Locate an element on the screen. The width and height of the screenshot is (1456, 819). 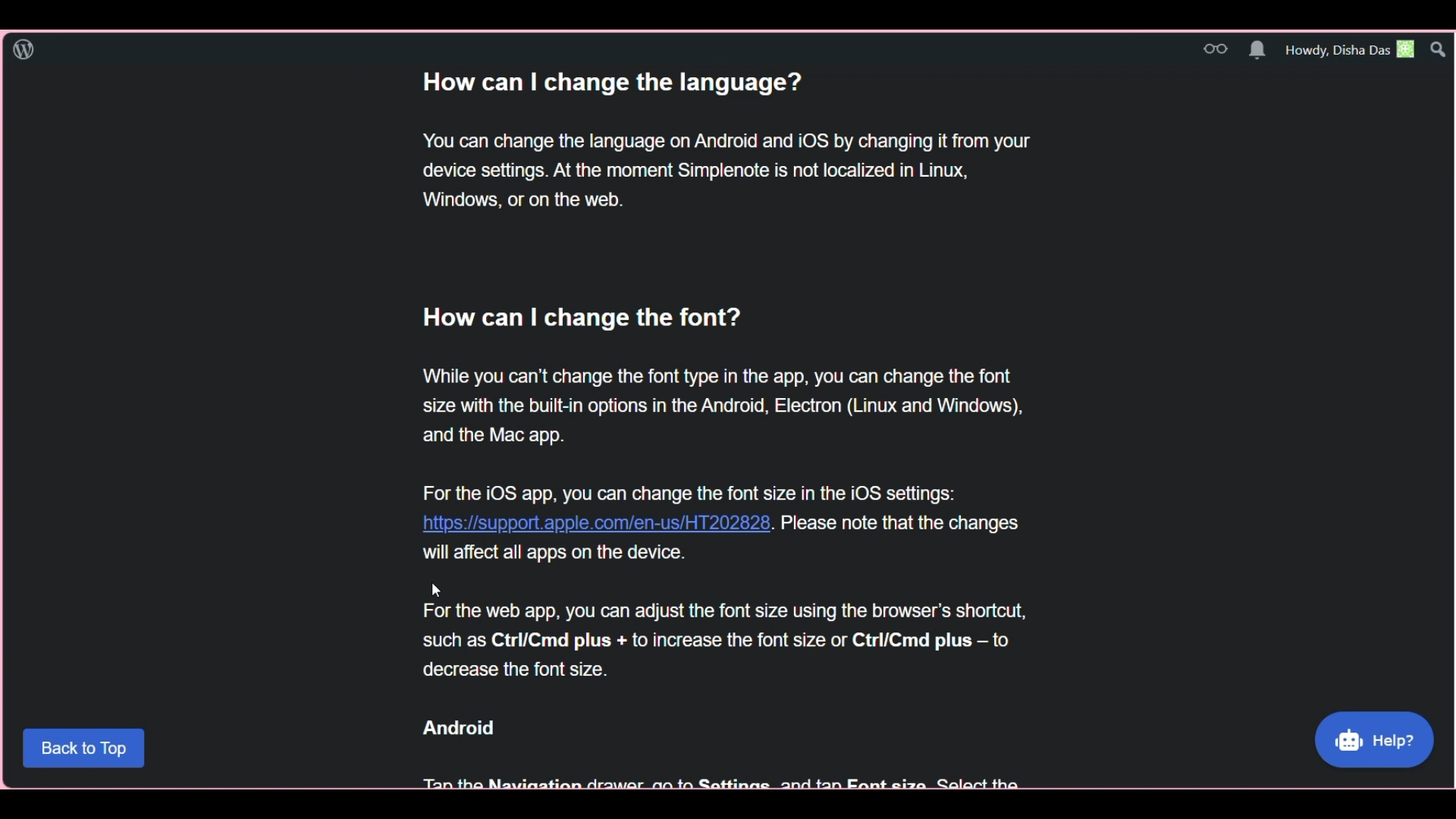
Manage notifications on WordPress is located at coordinates (1257, 49).